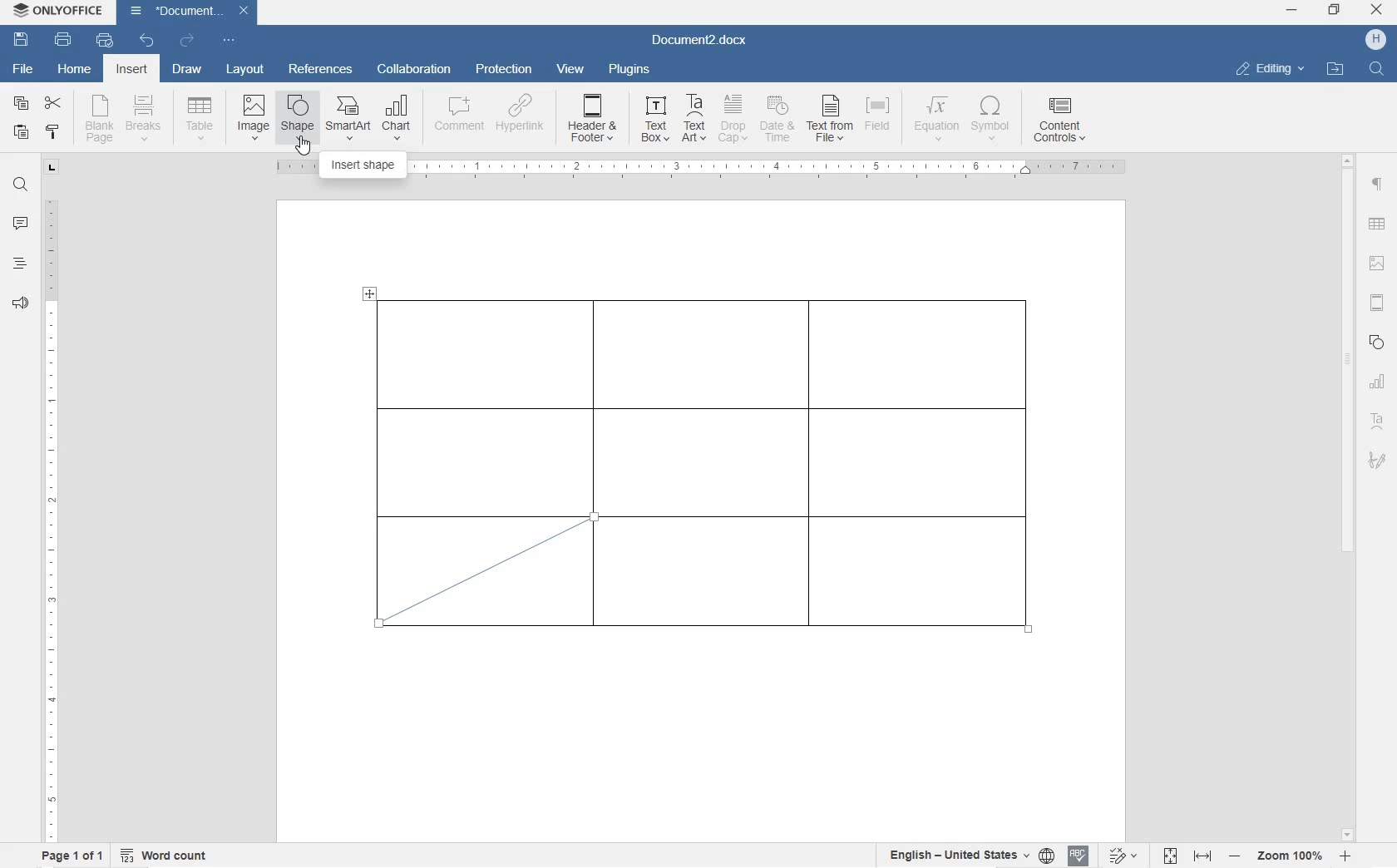 This screenshot has width=1397, height=868. Describe the element at coordinates (1079, 857) in the screenshot. I see `spell check` at that location.